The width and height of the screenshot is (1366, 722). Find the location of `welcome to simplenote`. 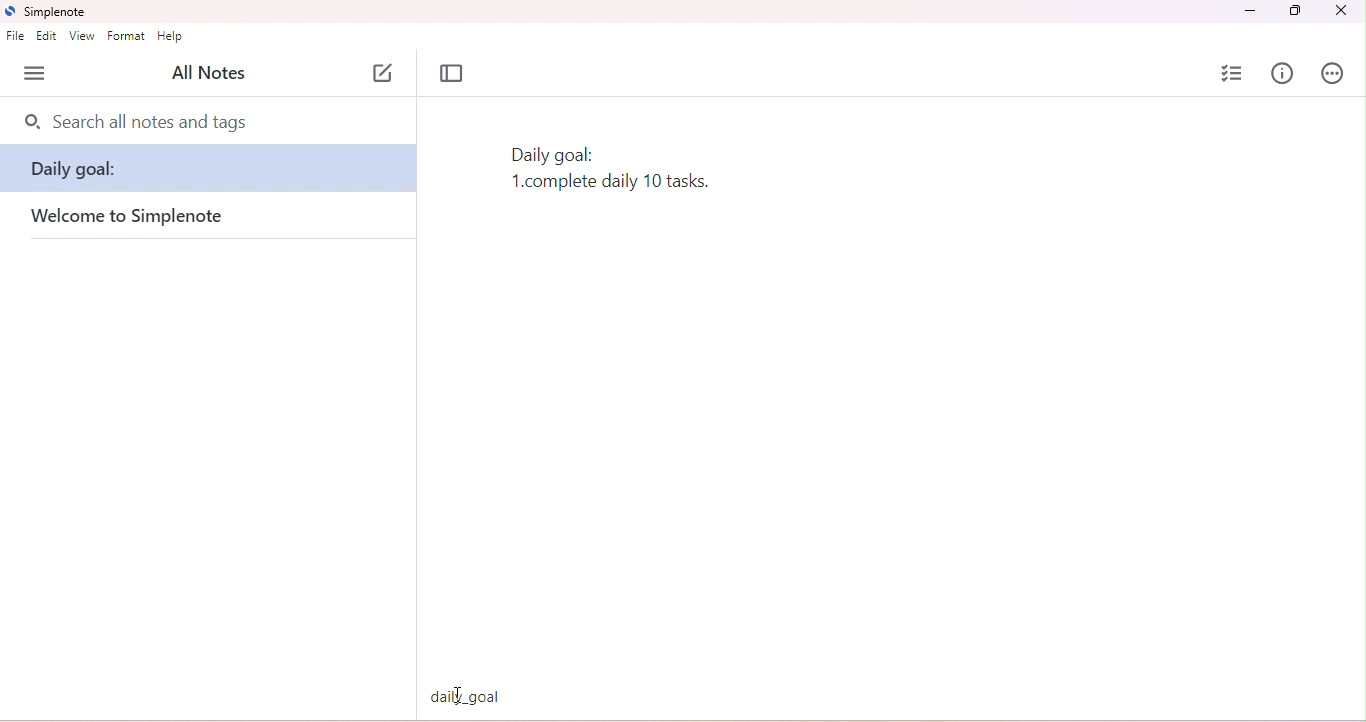

welcome to simplenote is located at coordinates (152, 218).